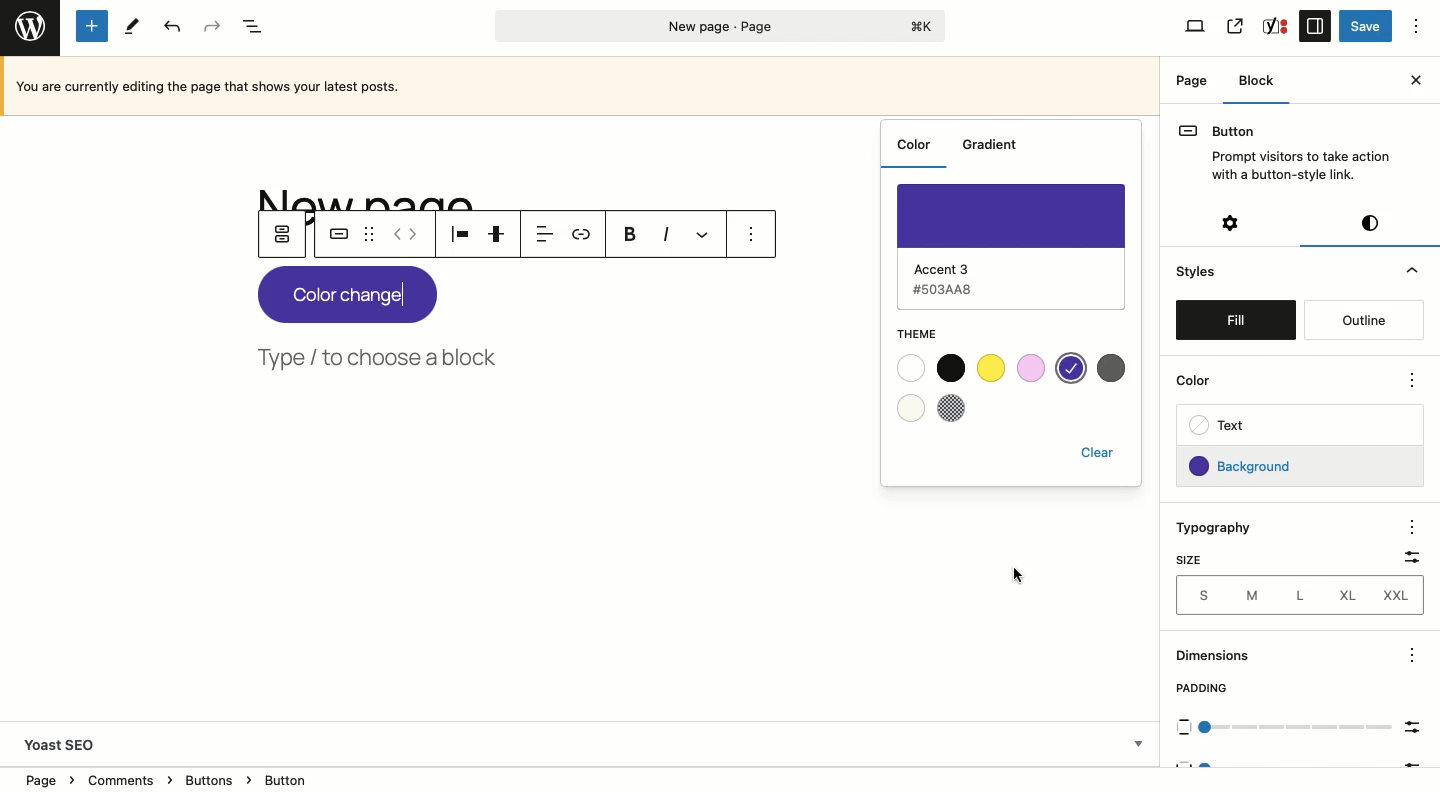 This screenshot has height=792, width=1440. Describe the element at coordinates (210, 27) in the screenshot. I see `Redo` at that location.